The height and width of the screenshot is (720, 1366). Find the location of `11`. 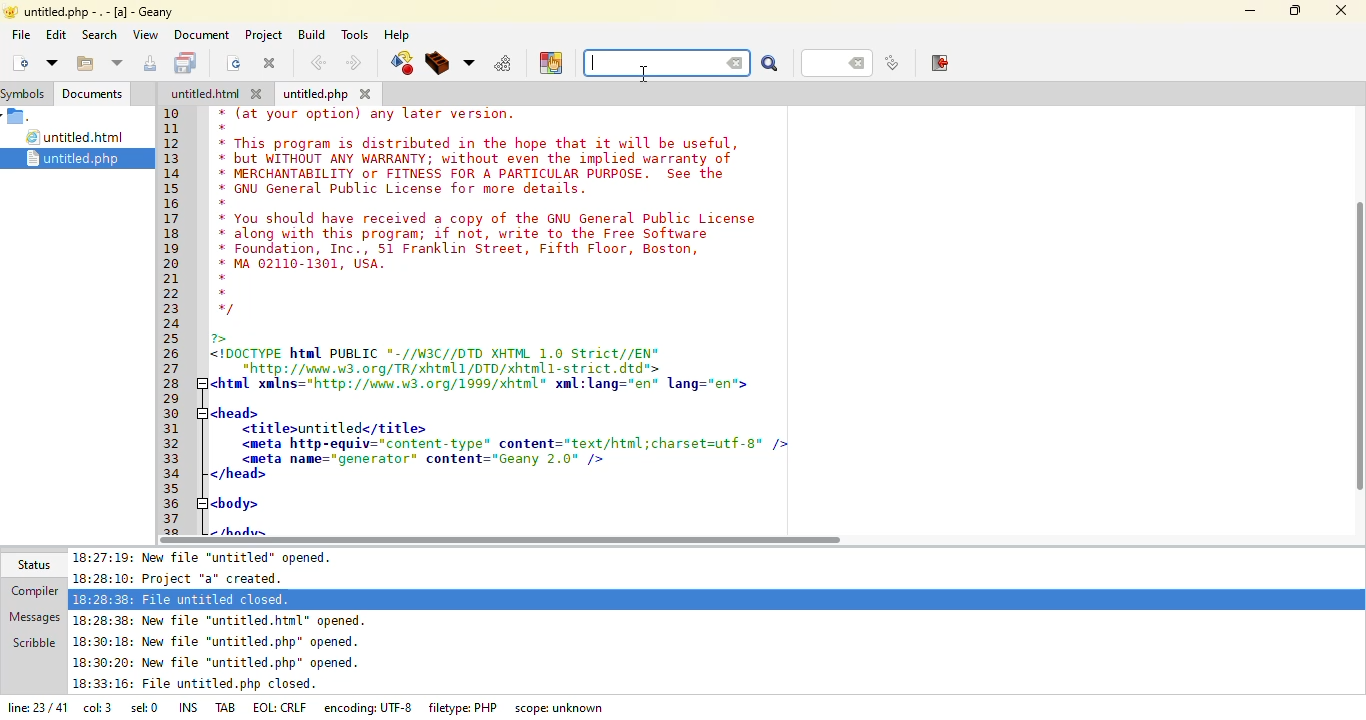

11 is located at coordinates (173, 131).